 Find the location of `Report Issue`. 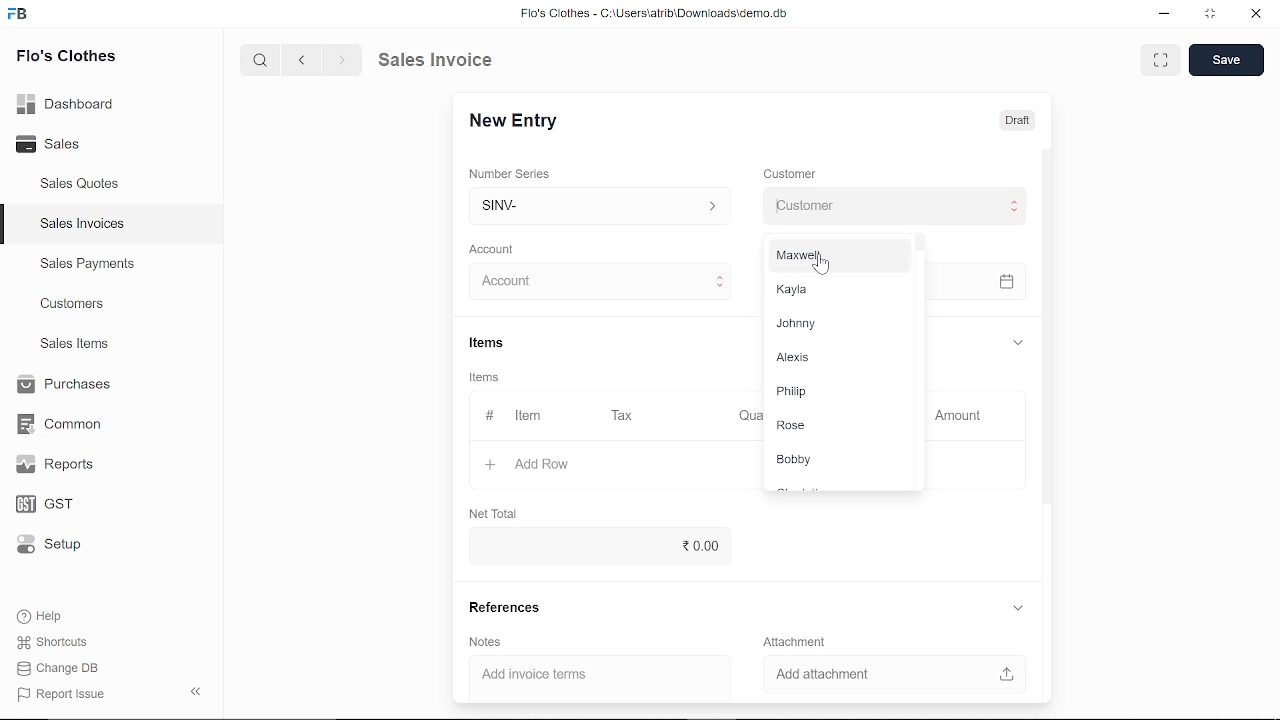

Report Issue is located at coordinates (61, 693).